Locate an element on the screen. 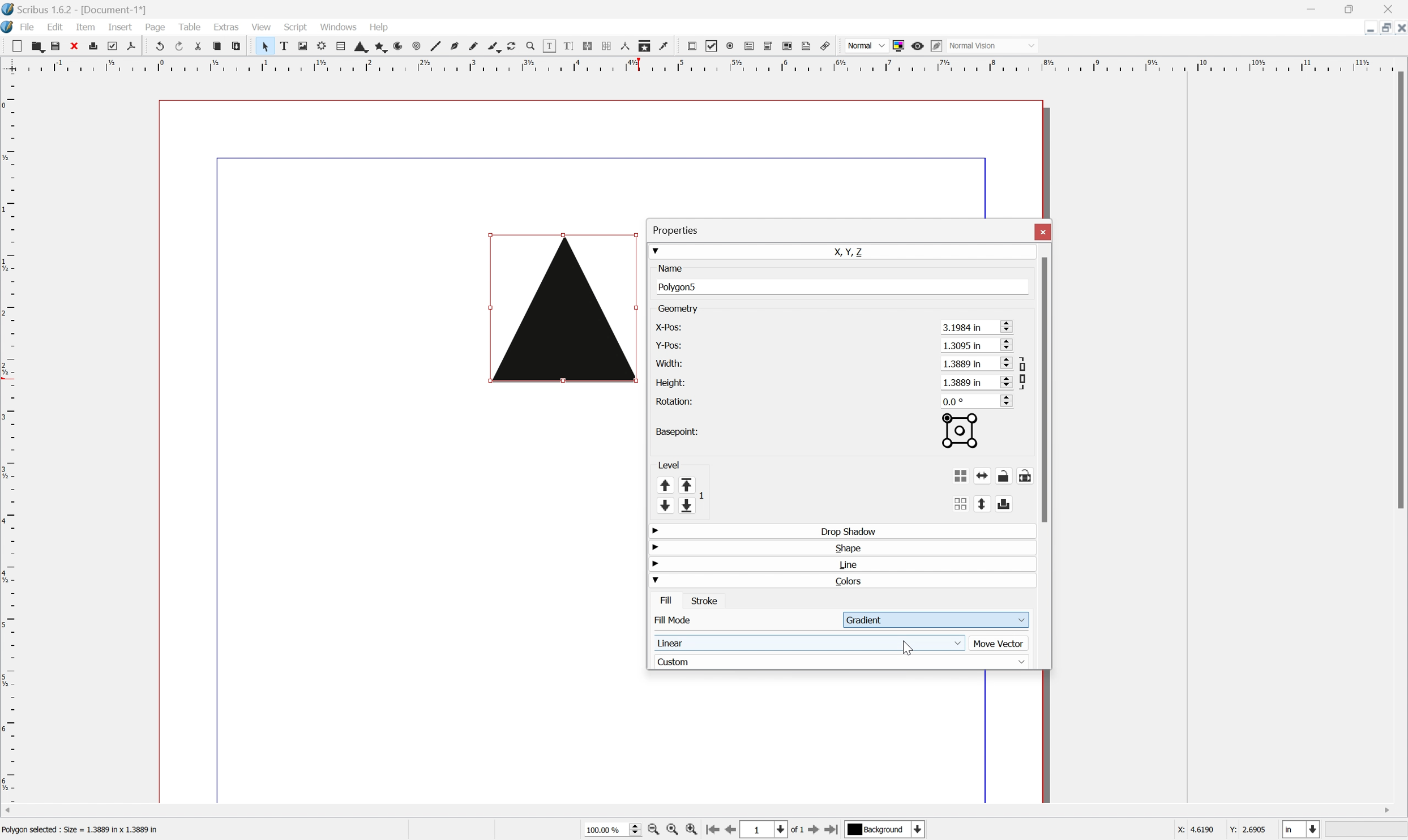 This screenshot has width=1408, height=840. Link Text frames is located at coordinates (585, 46).